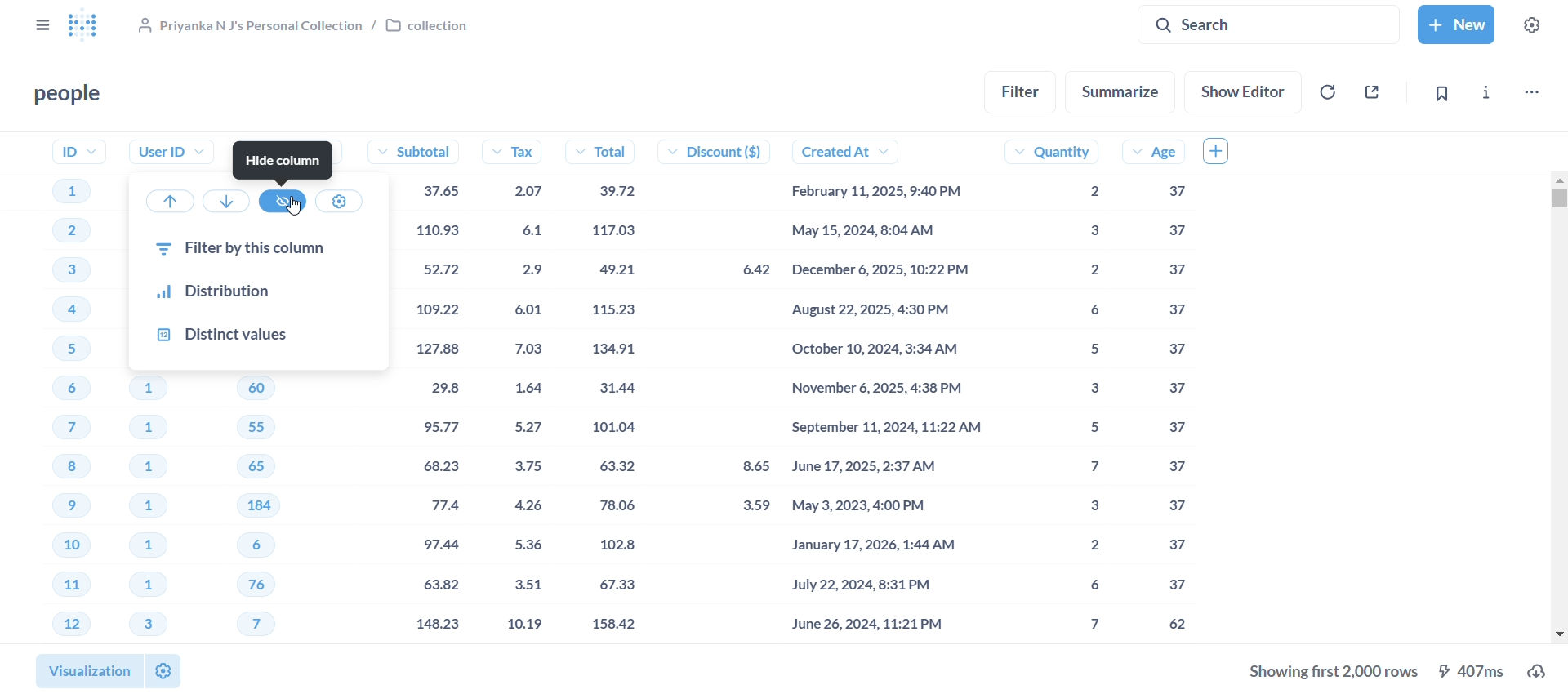 The image size is (1568, 694). What do you see at coordinates (292, 510) in the screenshot?
I see `product ID's` at bounding box center [292, 510].